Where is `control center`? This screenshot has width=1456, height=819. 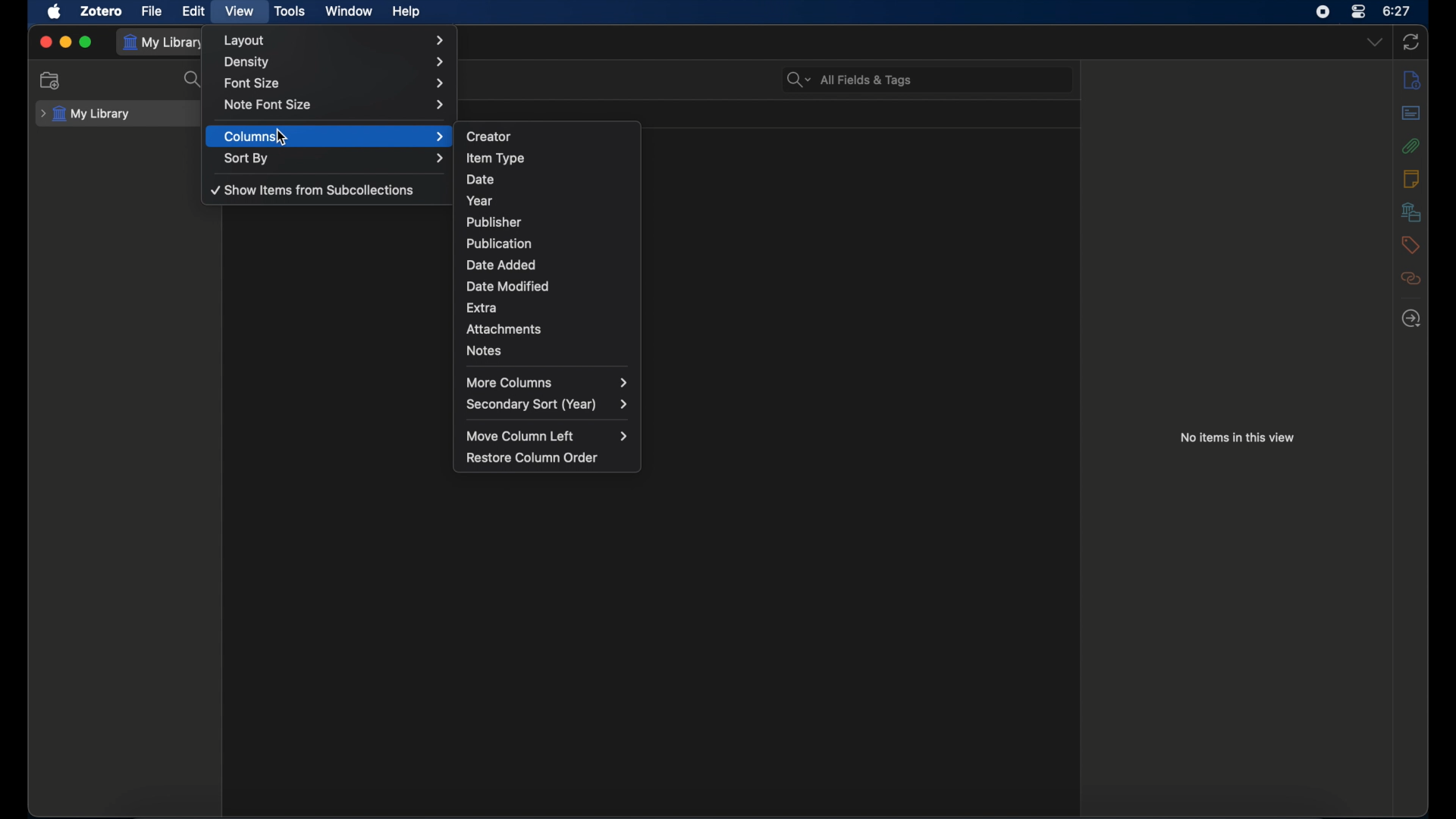 control center is located at coordinates (1359, 12).